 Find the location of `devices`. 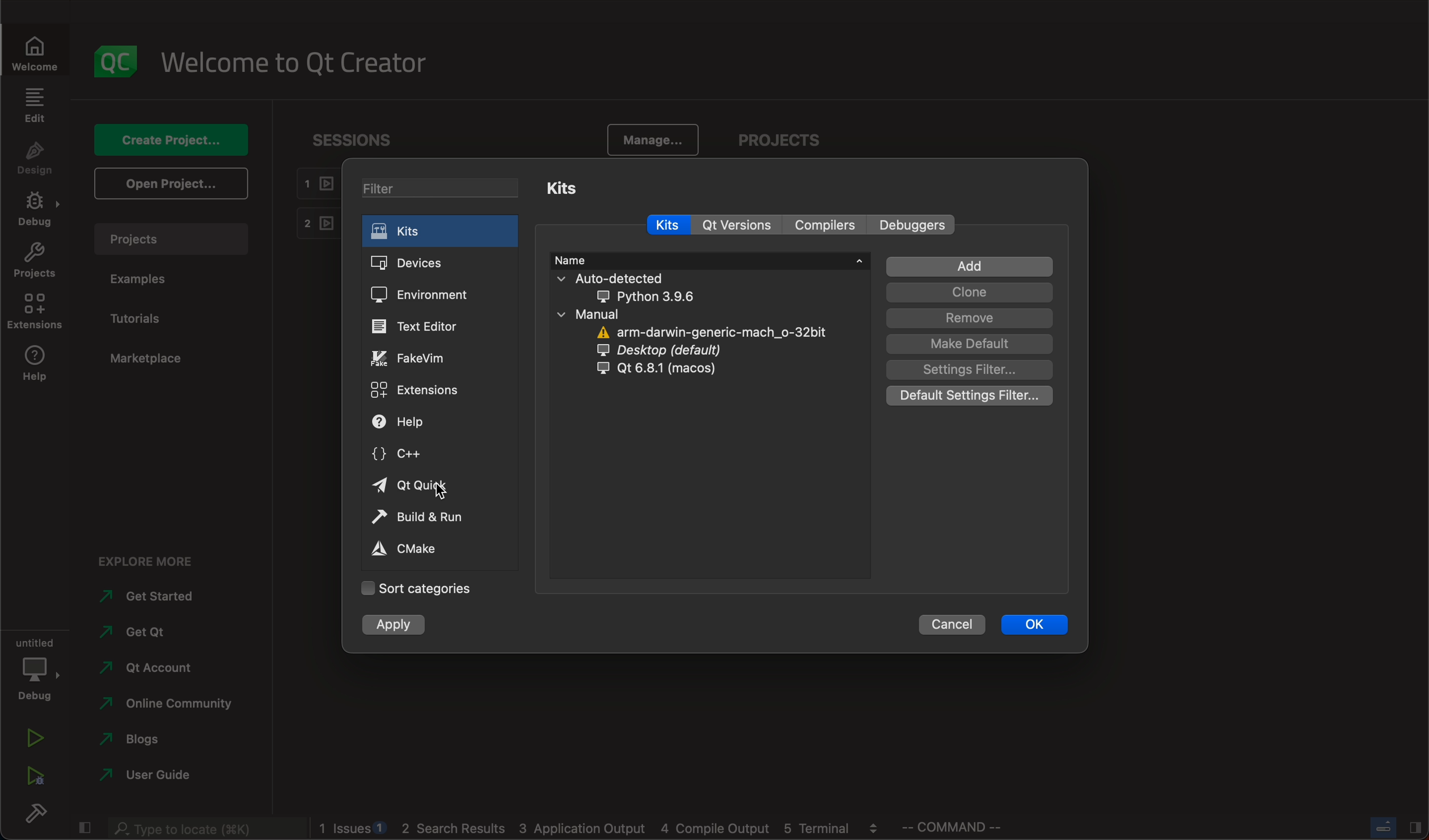

devices is located at coordinates (433, 264).